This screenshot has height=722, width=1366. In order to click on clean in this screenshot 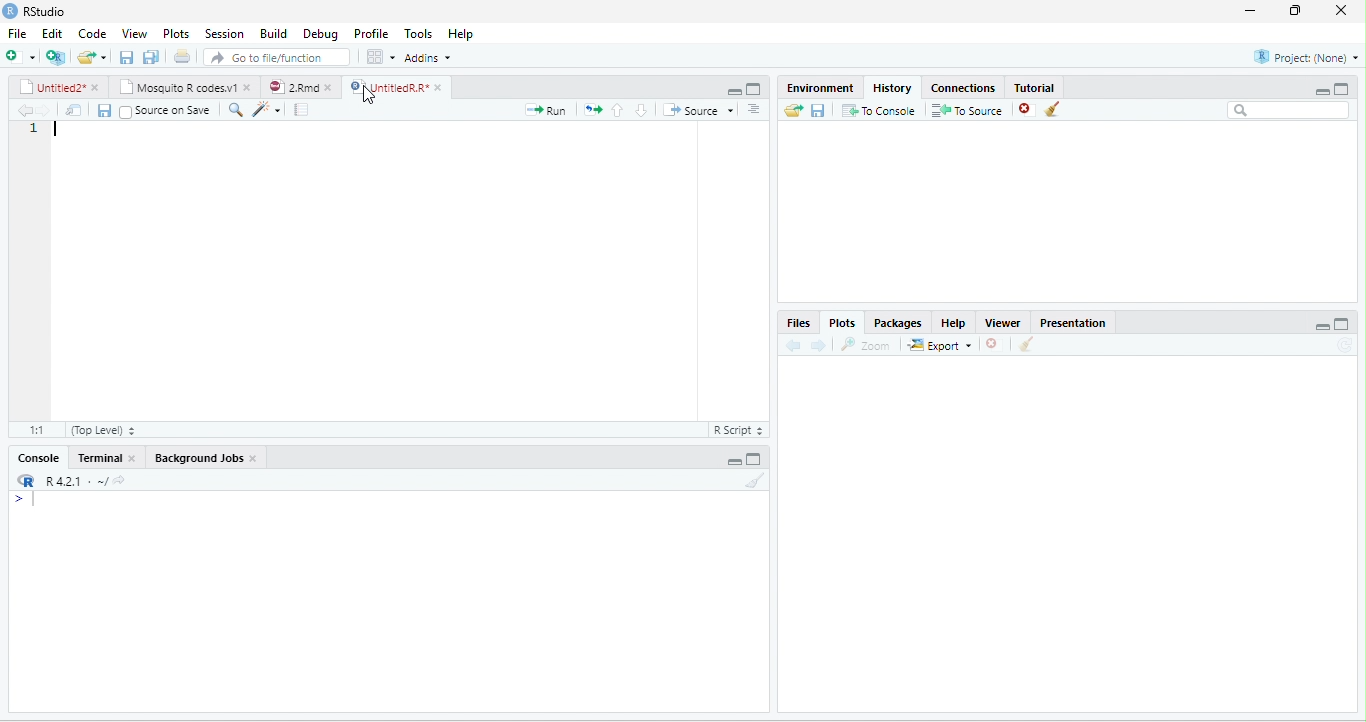, I will do `click(1066, 111)`.